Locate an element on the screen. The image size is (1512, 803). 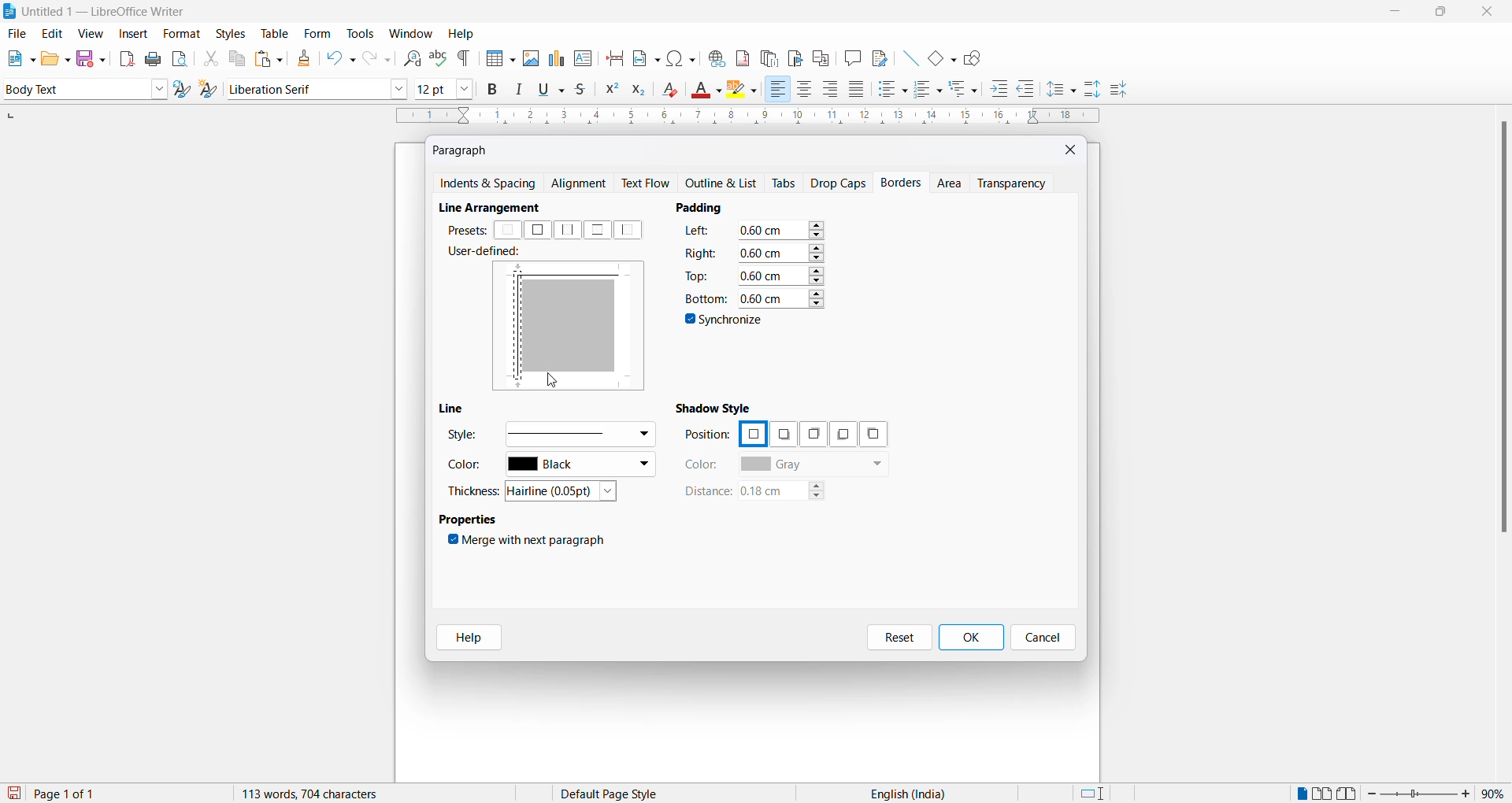
character highlighting is located at coordinates (746, 91).